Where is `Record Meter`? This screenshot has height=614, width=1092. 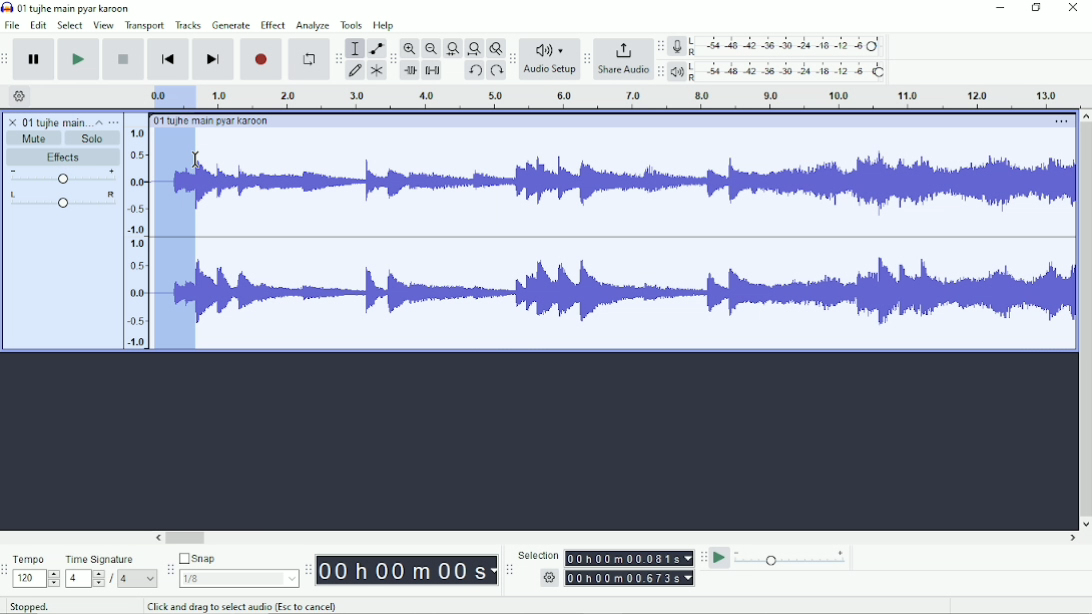 Record Meter is located at coordinates (779, 46).